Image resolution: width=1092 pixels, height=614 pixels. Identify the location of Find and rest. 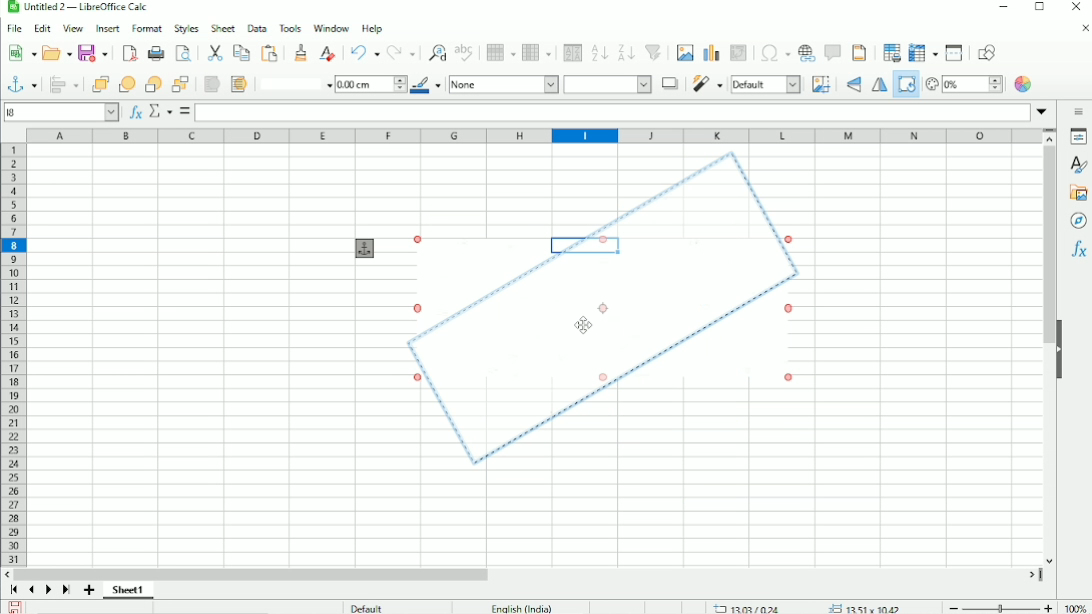
(435, 51).